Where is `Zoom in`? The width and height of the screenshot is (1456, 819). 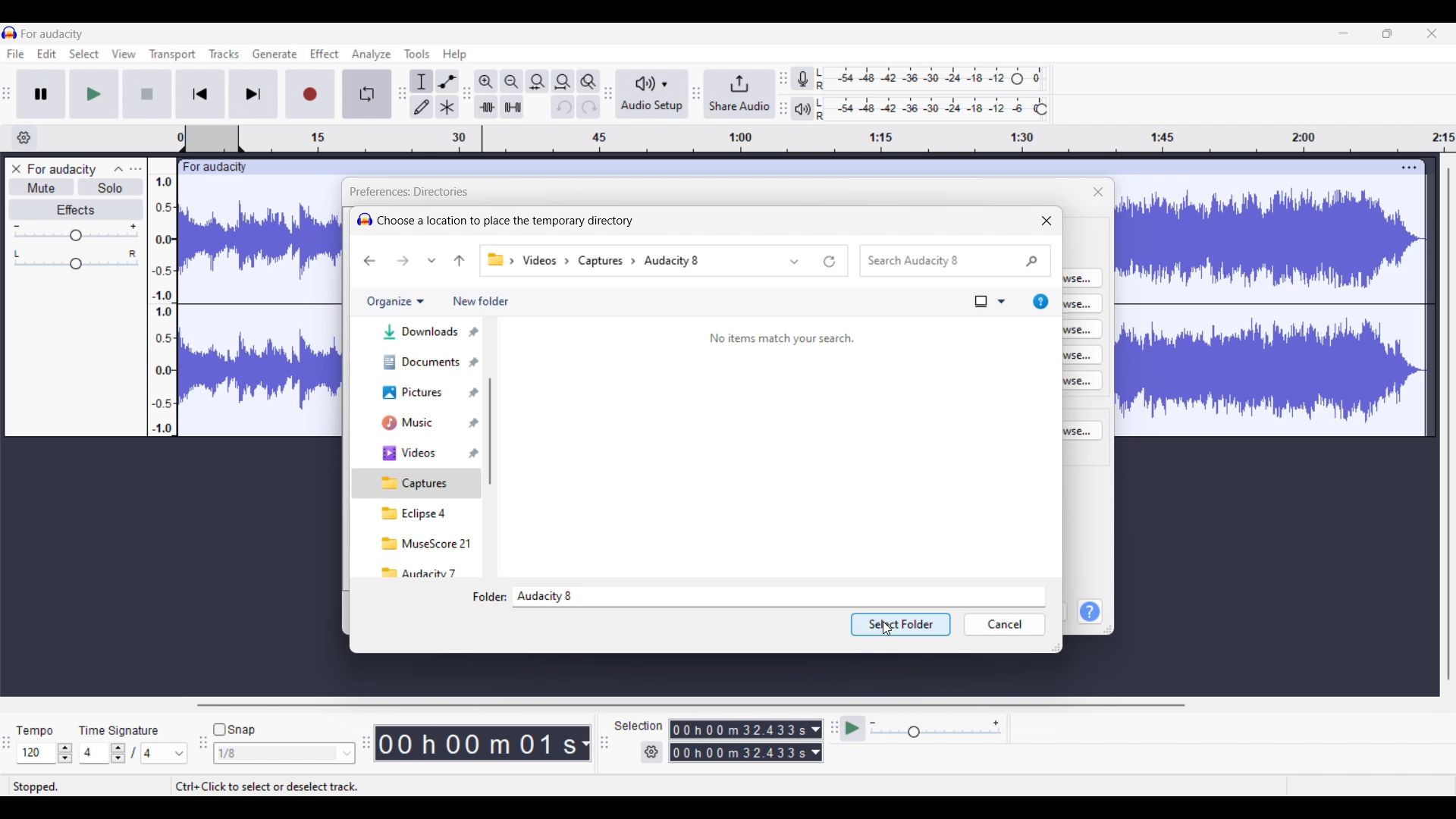 Zoom in is located at coordinates (486, 82).